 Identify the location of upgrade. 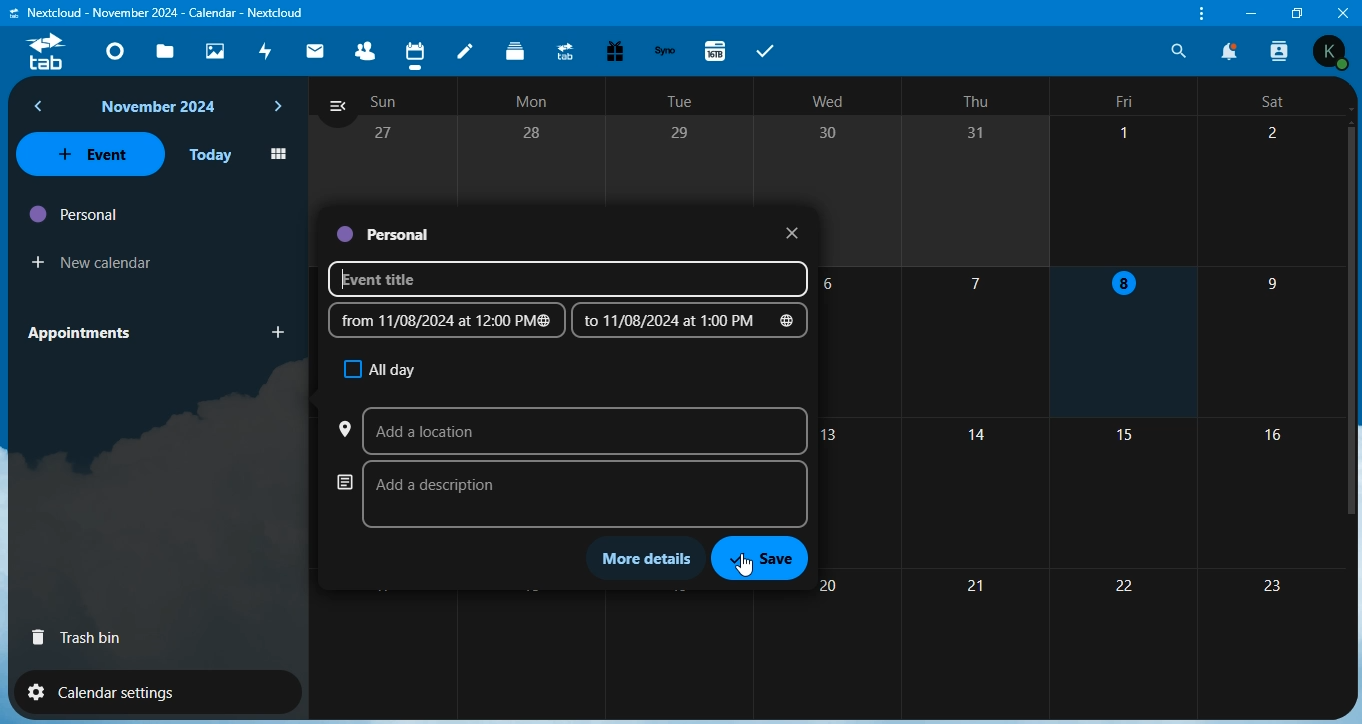
(566, 50).